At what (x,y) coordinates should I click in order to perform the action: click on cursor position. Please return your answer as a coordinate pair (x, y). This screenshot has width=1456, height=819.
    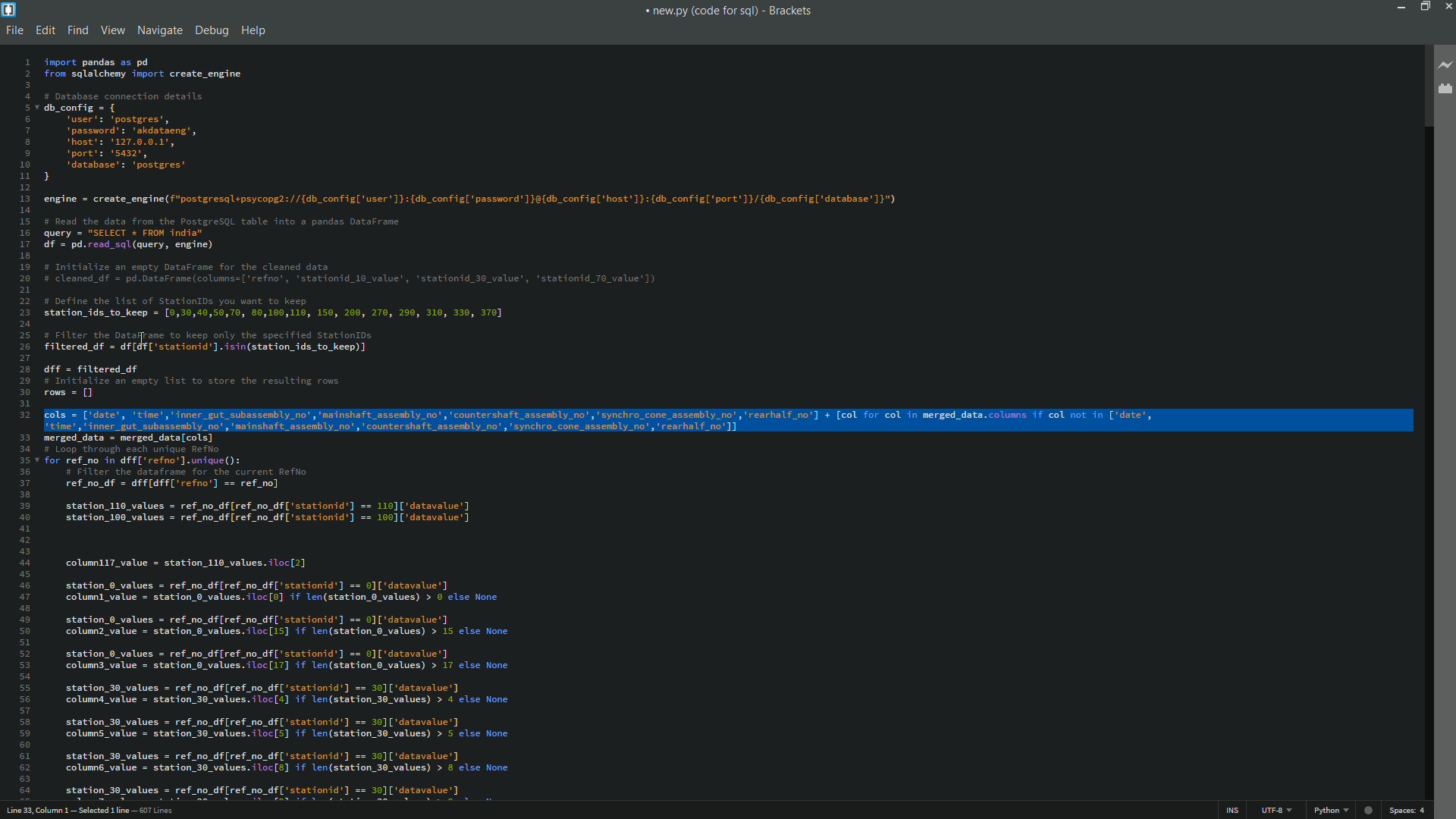
    Looking at the image, I should click on (99, 811).